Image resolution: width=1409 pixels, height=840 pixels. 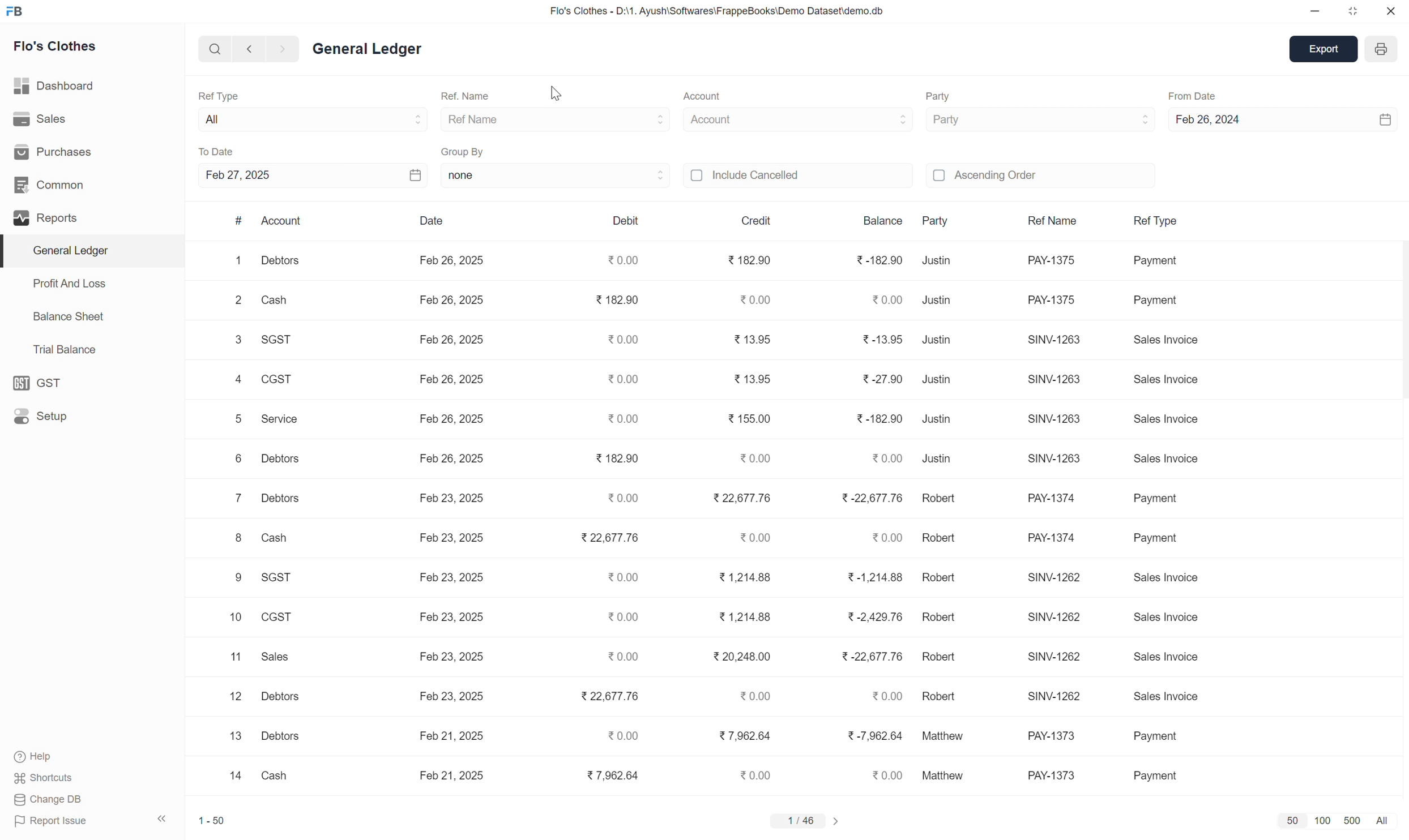 What do you see at coordinates (943, 698) in the screenshot?
I see `robert` at bounding box center [943, 698].